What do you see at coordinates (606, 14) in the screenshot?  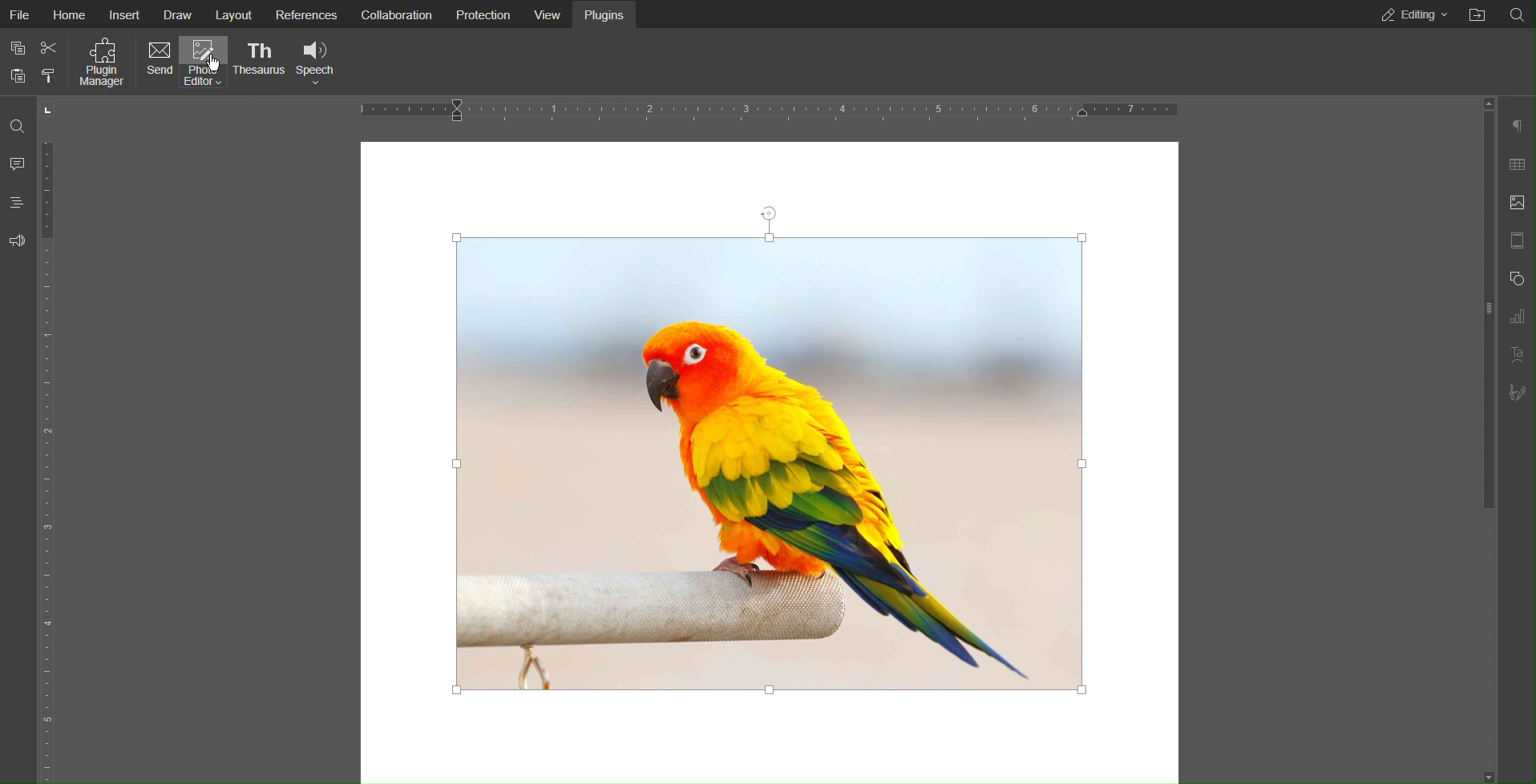 I see `Plugins` at bounding box center [606, 14].